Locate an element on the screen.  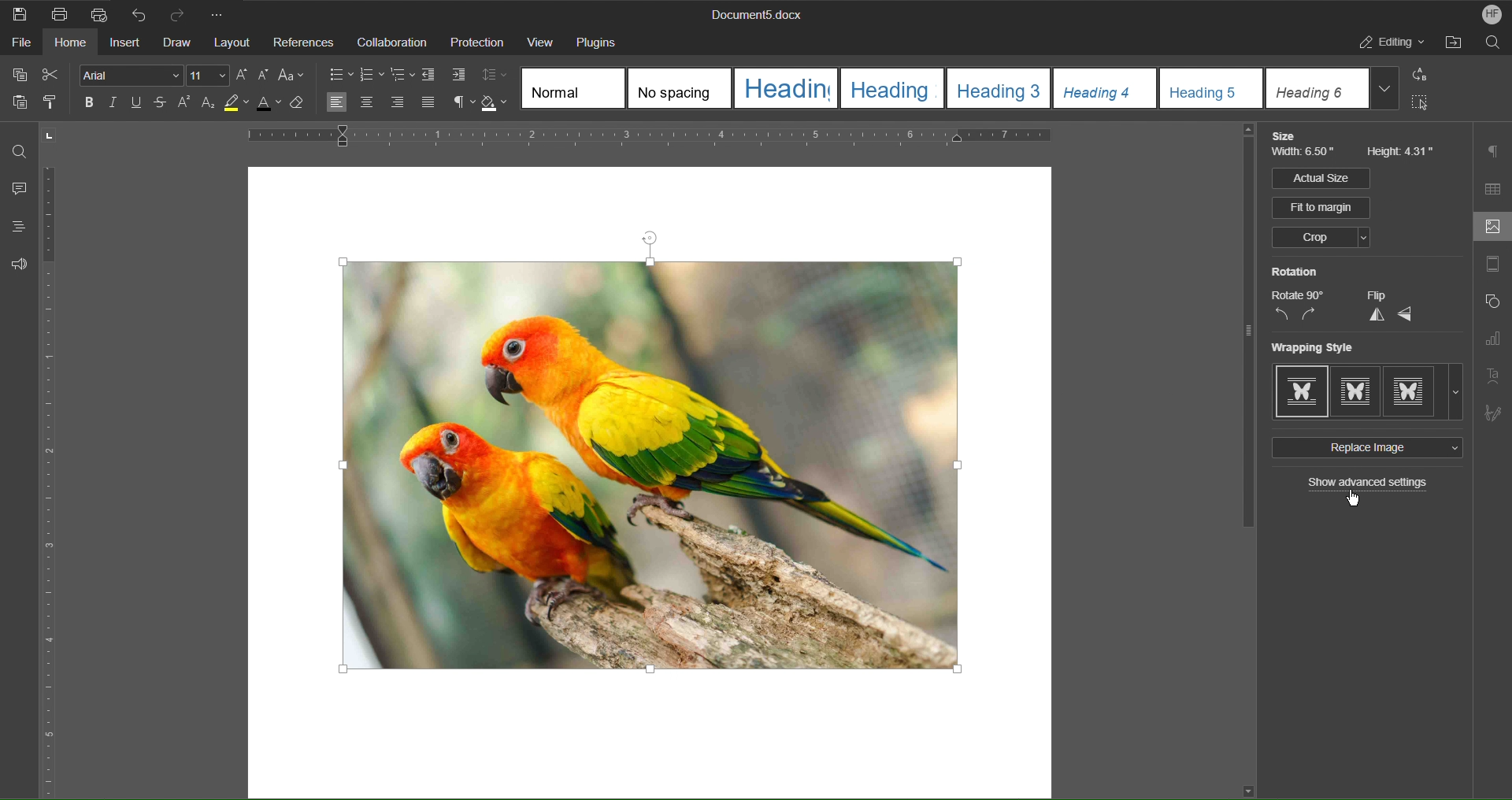
Select All is located at coordinates (1425, 106).